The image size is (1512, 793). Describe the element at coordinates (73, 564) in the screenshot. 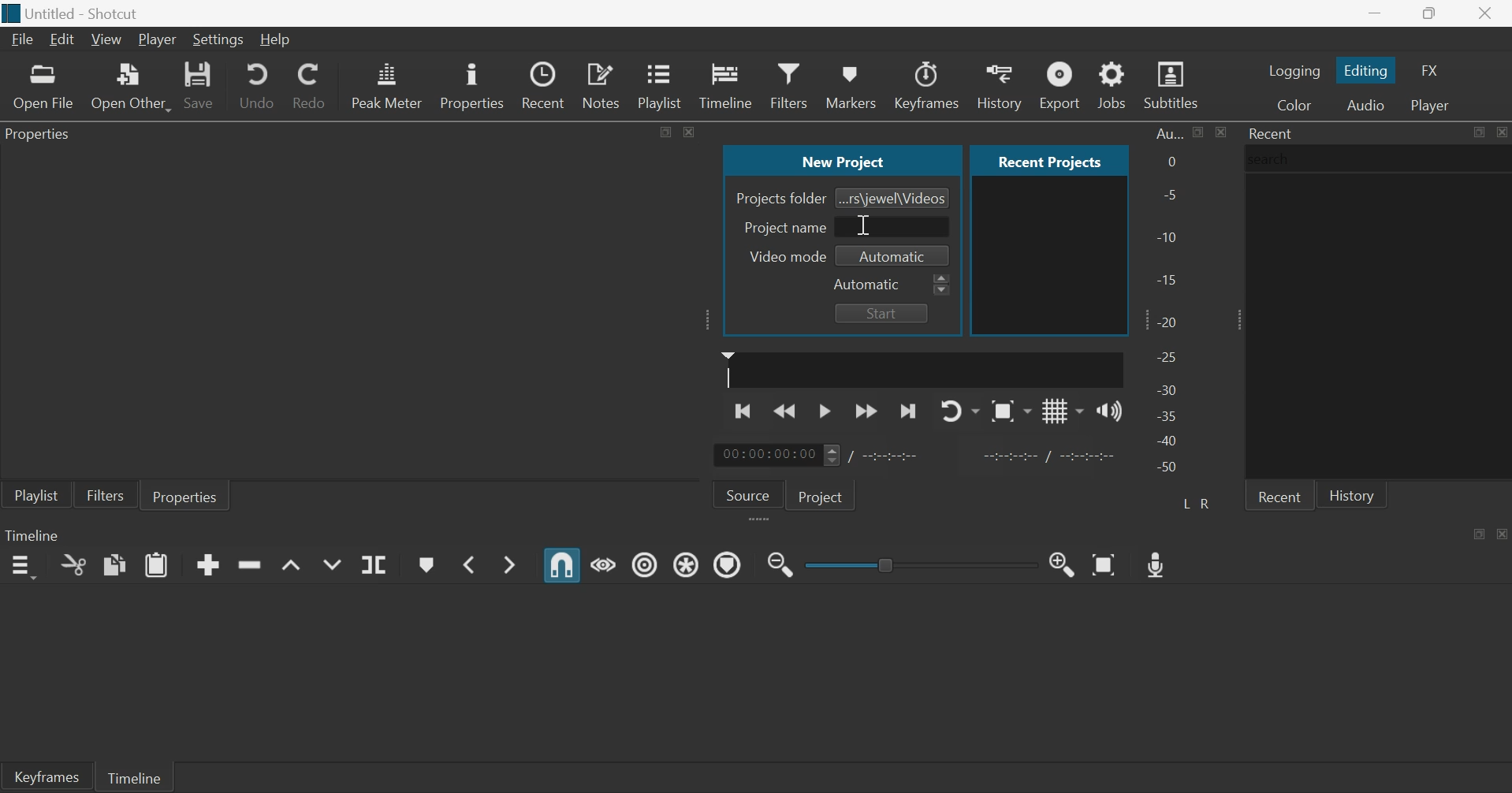

I see `Cut` at that location.